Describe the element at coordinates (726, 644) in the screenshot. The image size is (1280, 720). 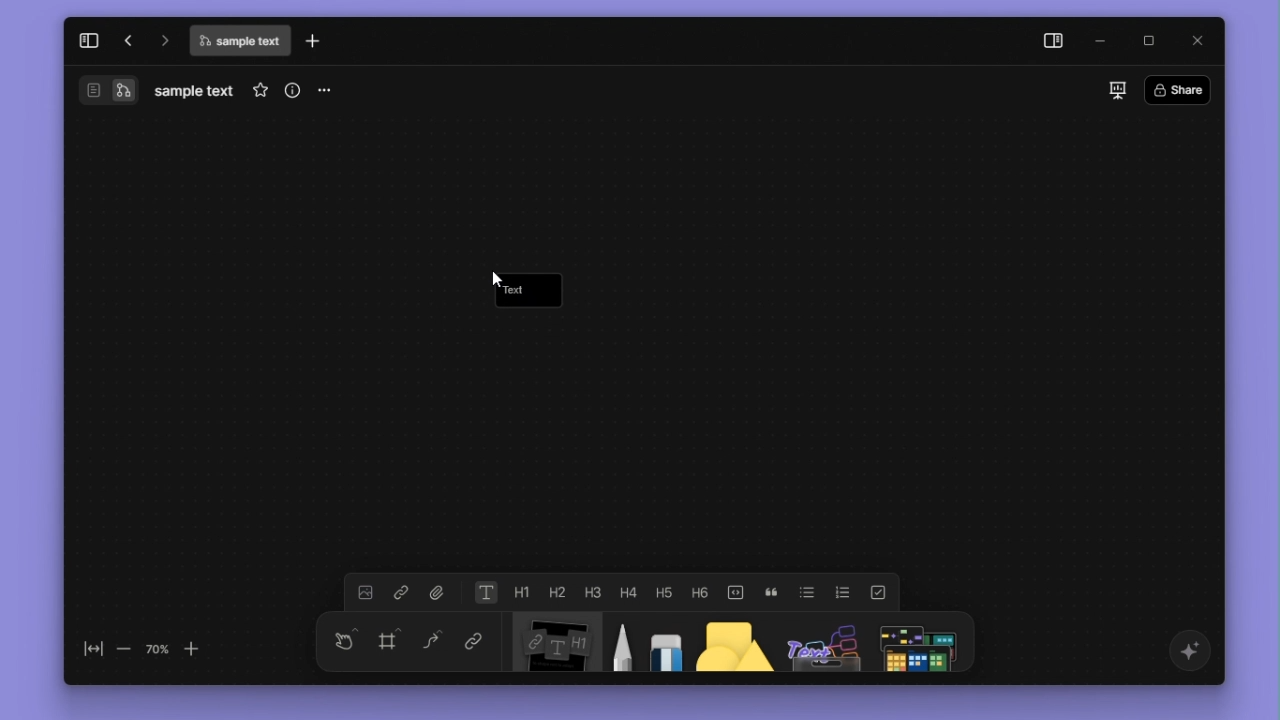
I see `shape` at that location.